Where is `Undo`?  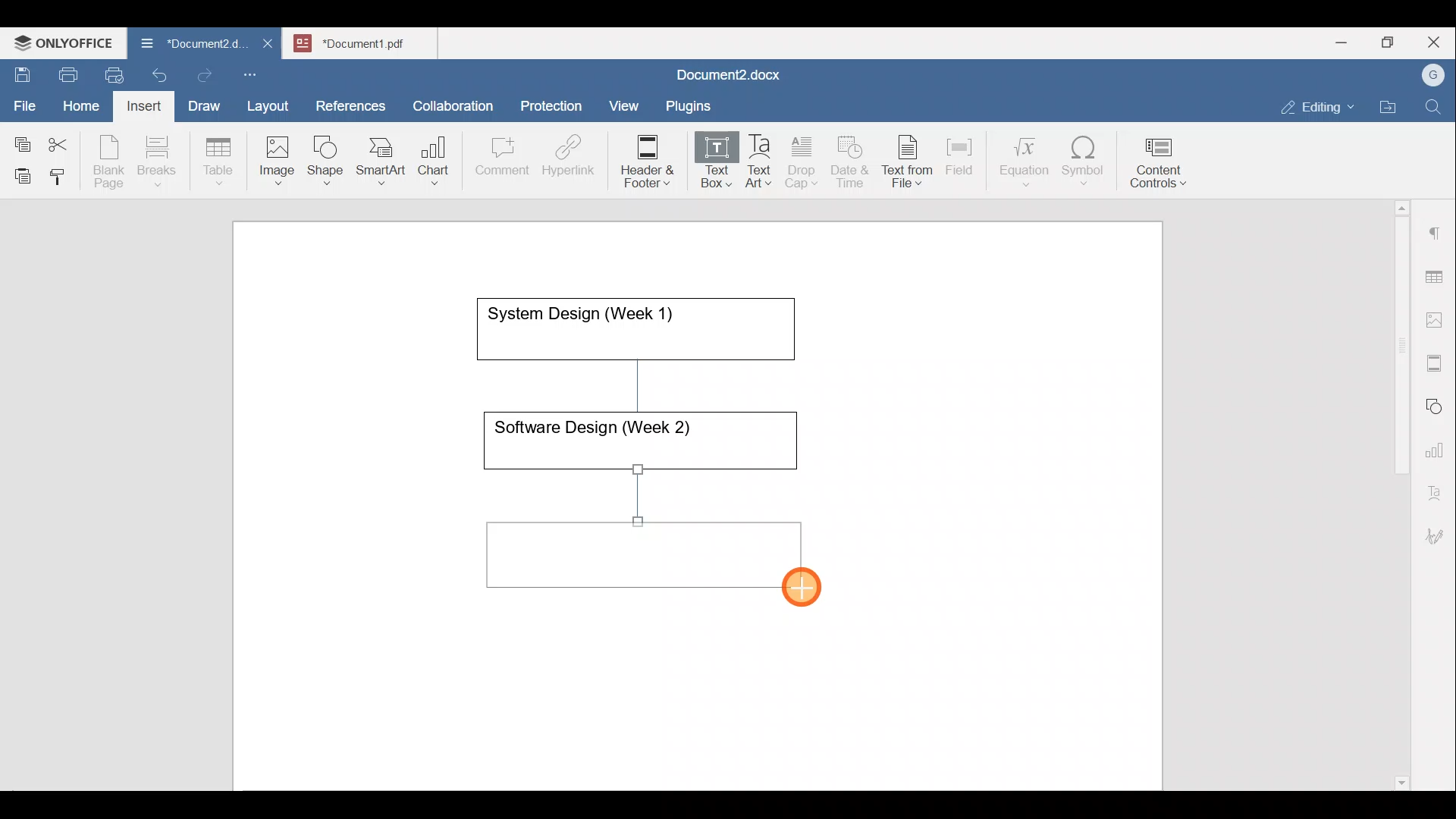
Undo is located at coordinates (156, 73).